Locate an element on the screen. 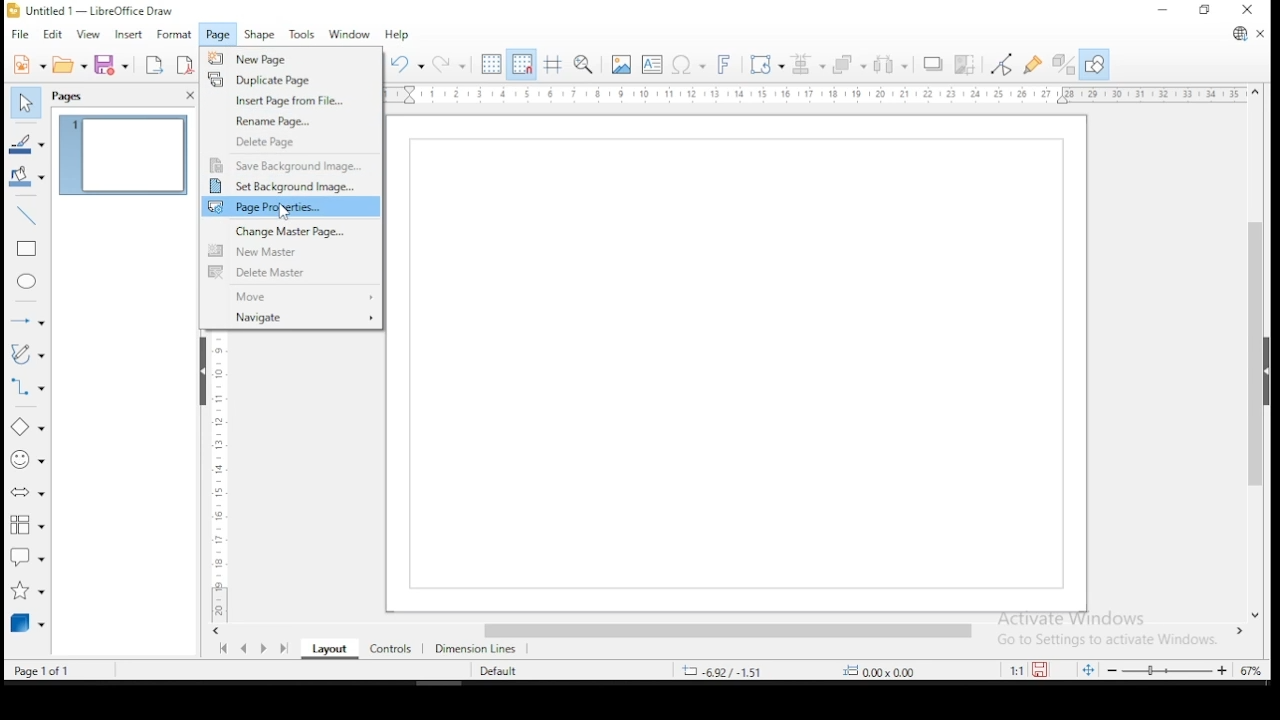  select at least three objects to distribute is located at coordinates (892, 66).